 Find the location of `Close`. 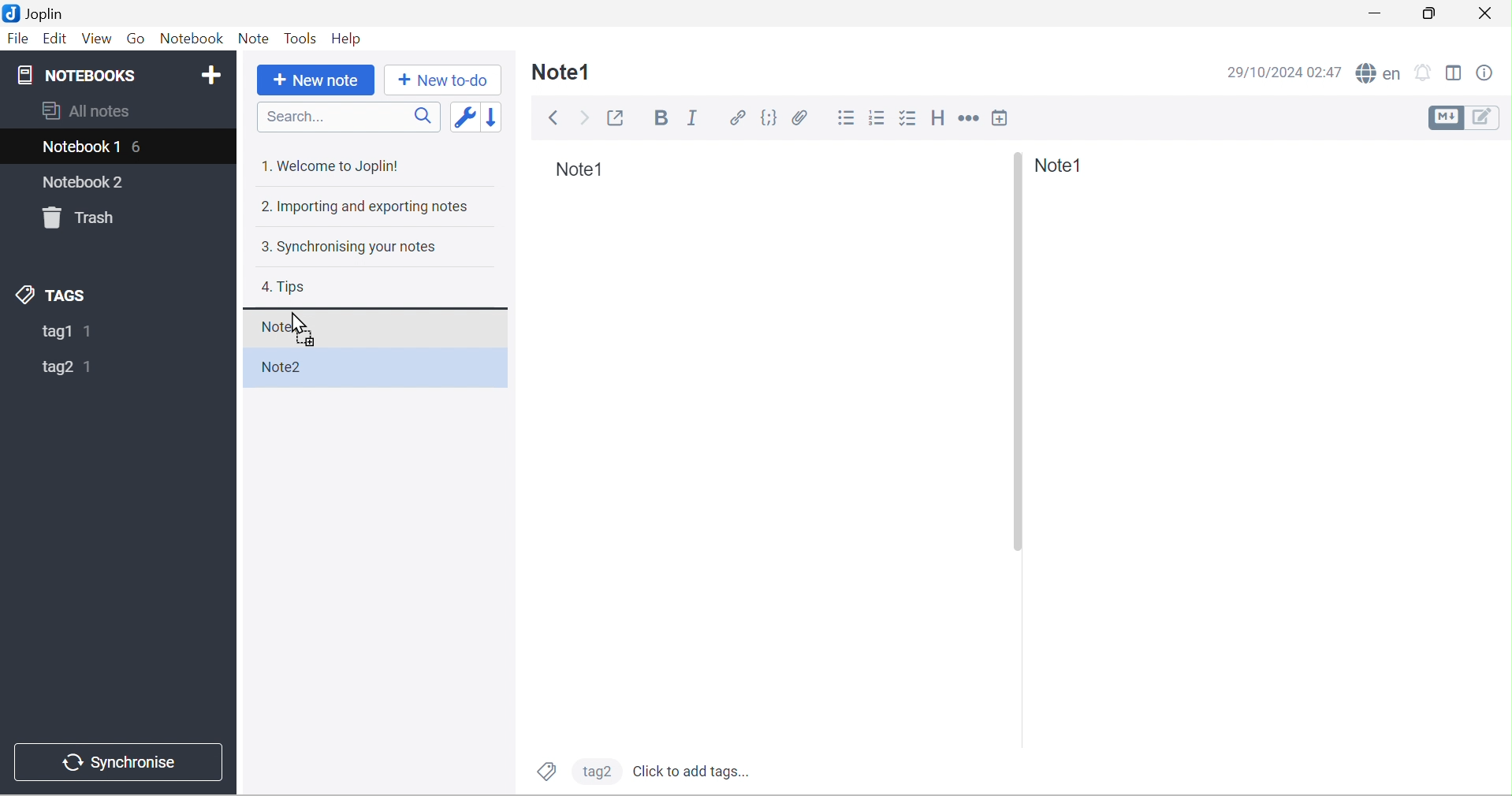

Close is located at coordinates (1489, 14).